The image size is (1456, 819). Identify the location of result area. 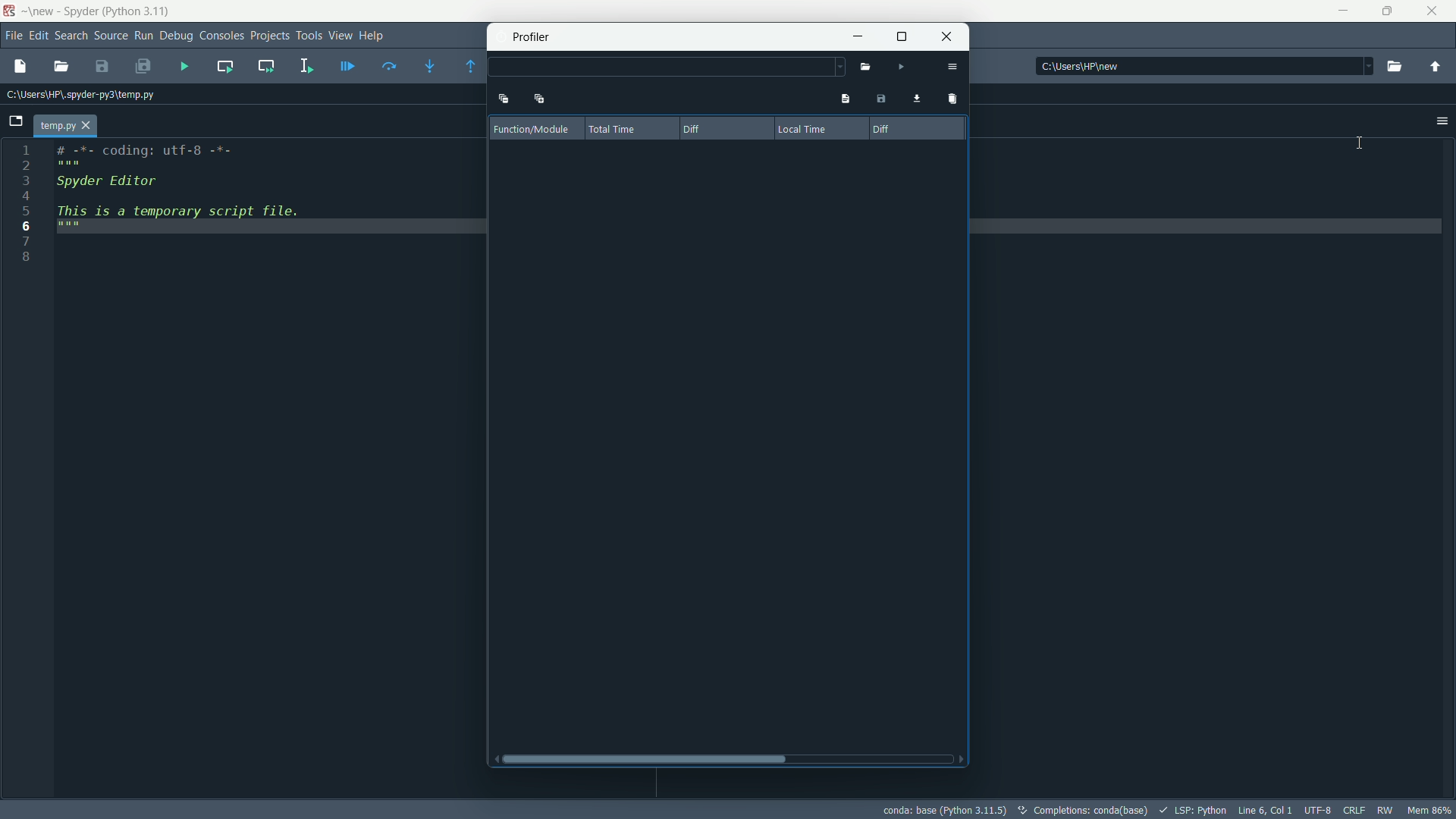
(727, 441).